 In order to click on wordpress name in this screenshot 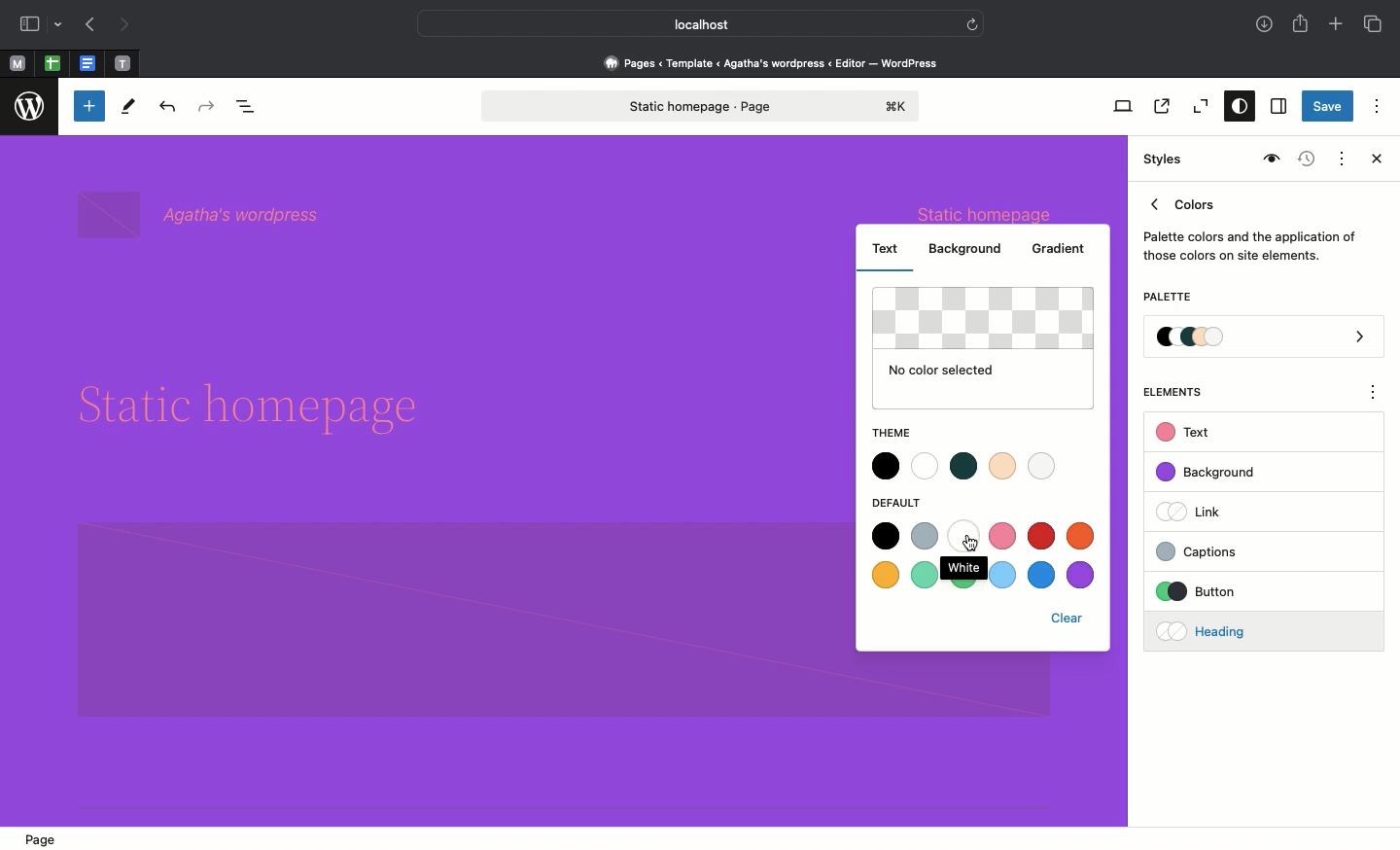, I will do `click(204, 214)`.